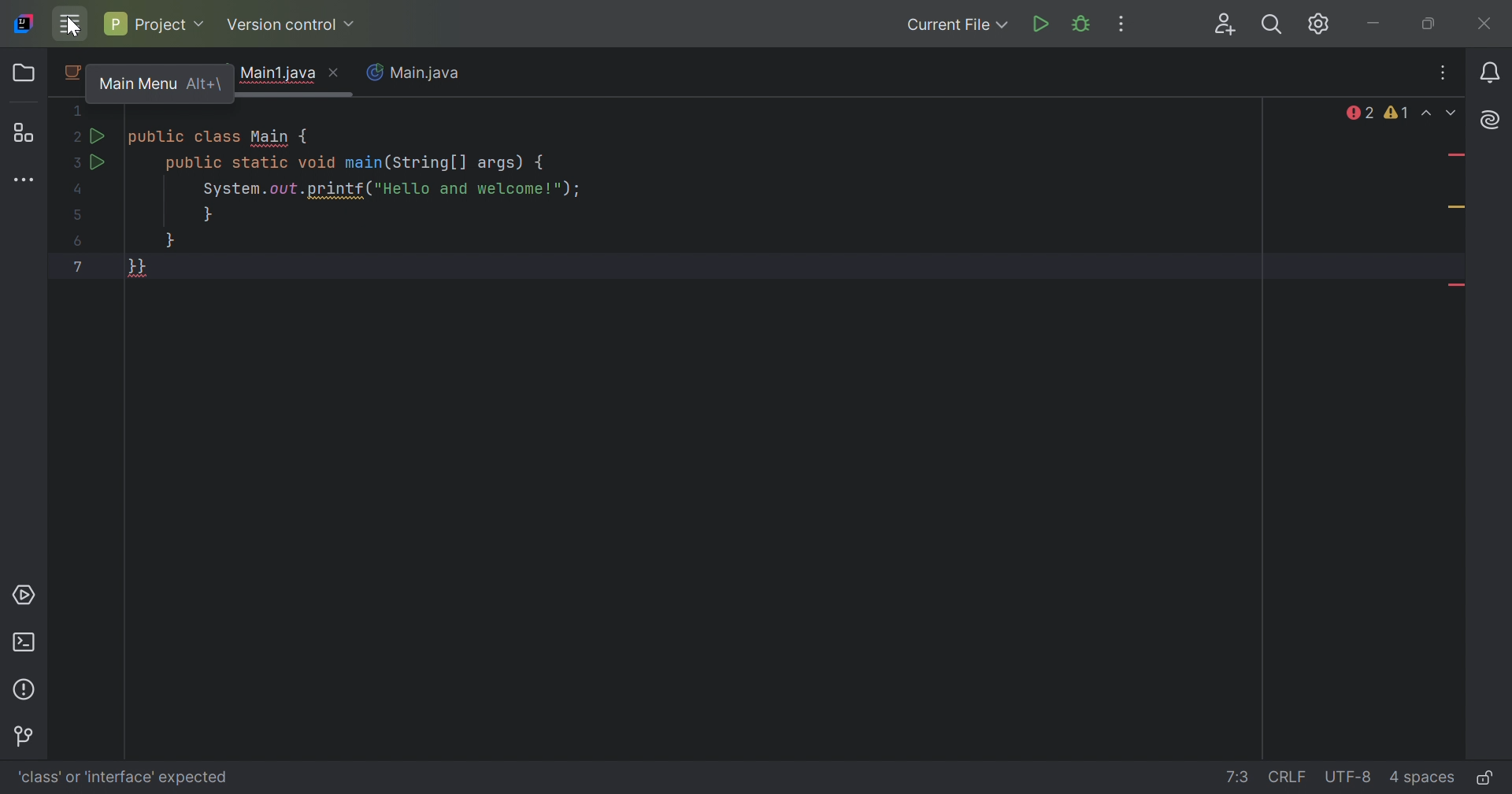 This screenshot has width=1512, height=794. I want to click on }}, so click(138, 269).